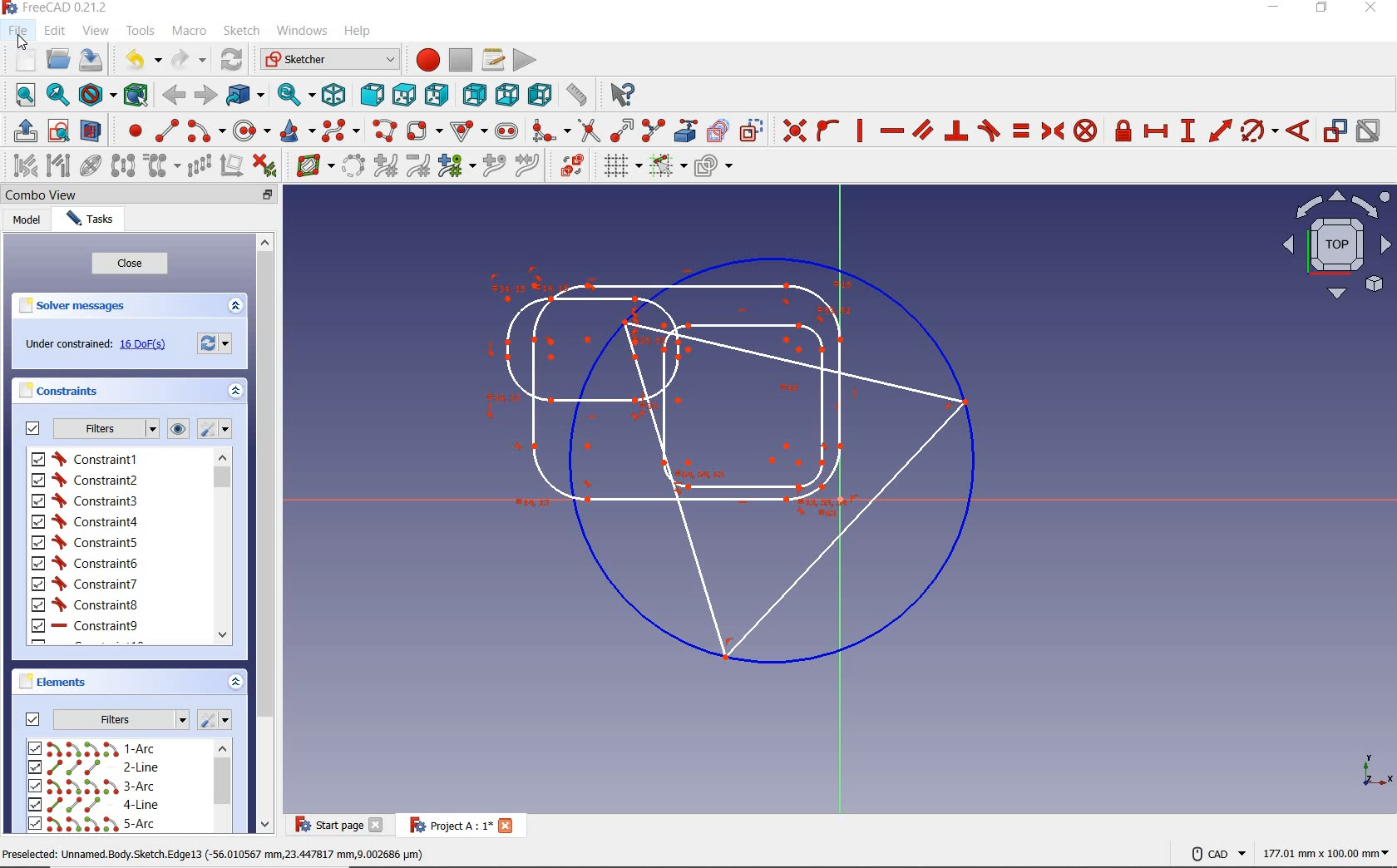 The width and height of the screenshot is (1397, 868). Describe the element at coordinates (492, 60) in the screenshot. I see `macros` at that location.